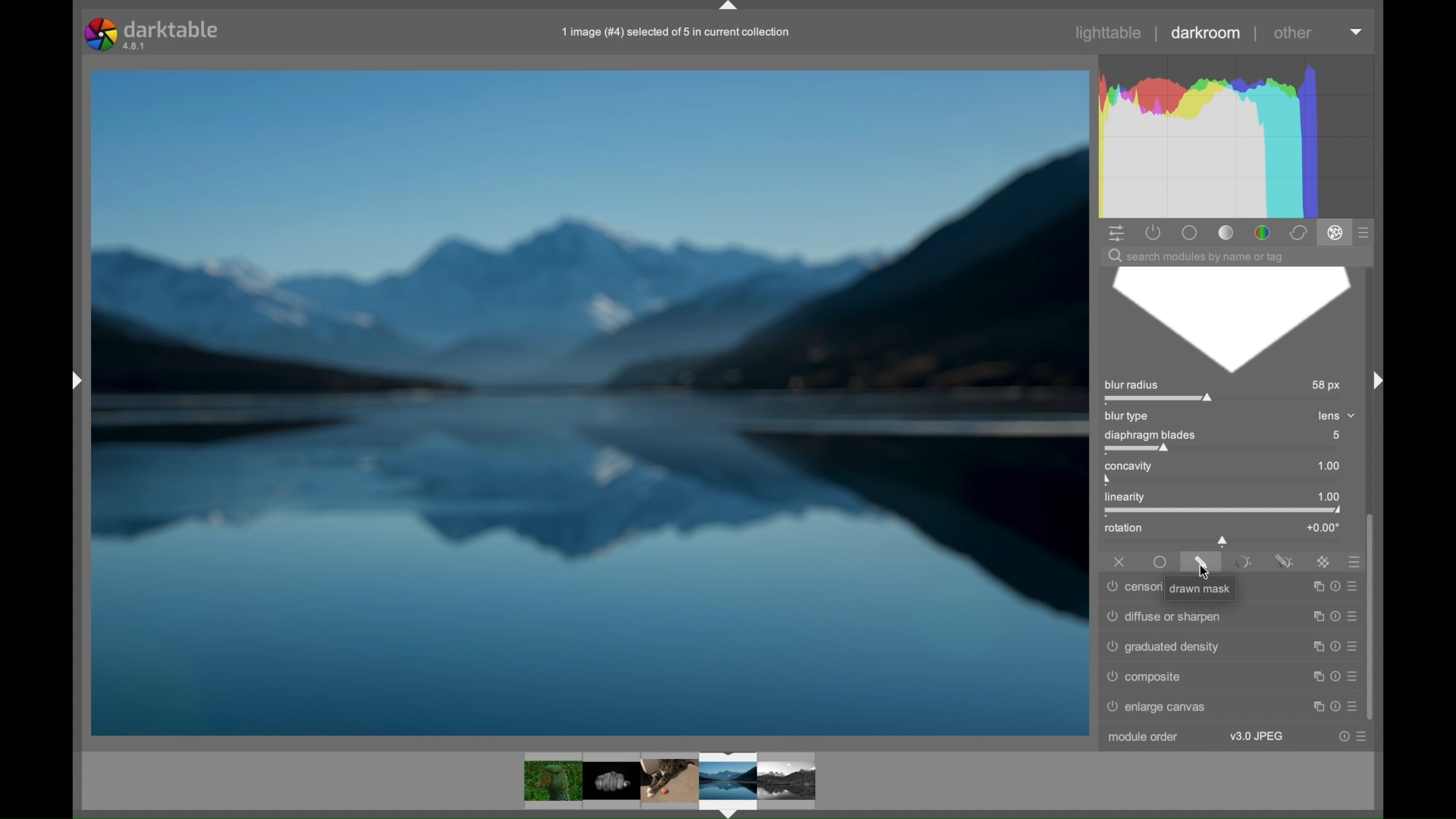 This screenshot has width=1456, height=819. What do you see at coordinates (1354, 583) in the screenshot?
I see `more options` at bounding box center [1354, 583].